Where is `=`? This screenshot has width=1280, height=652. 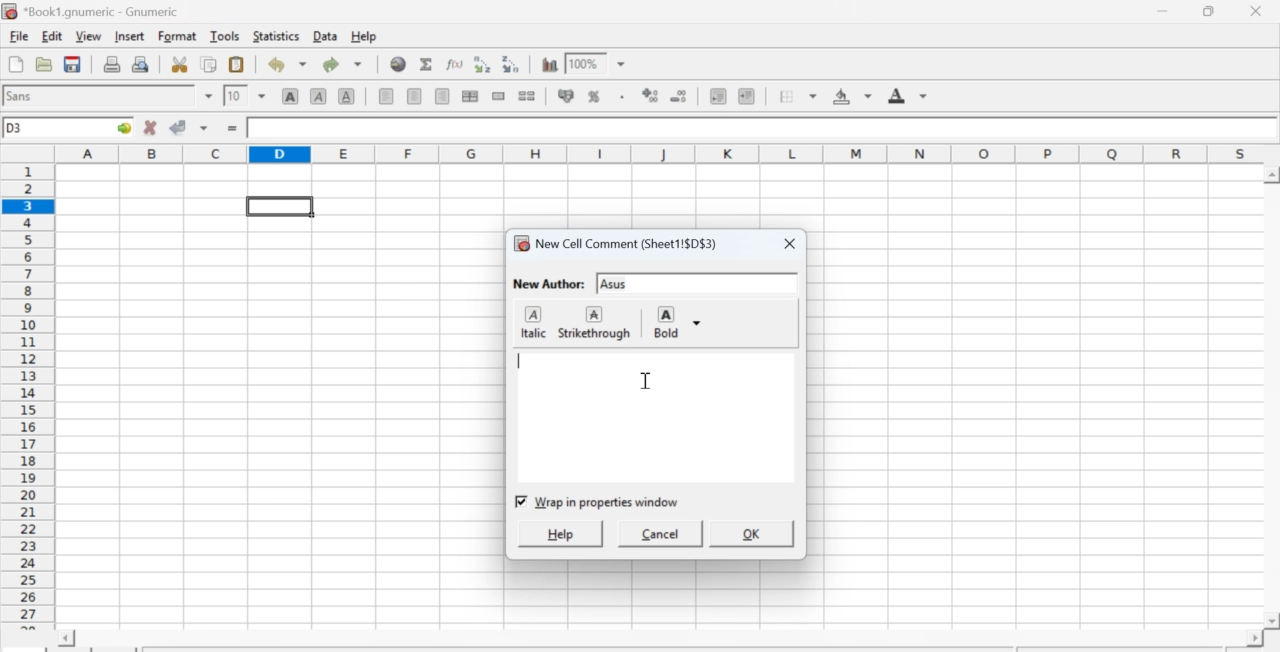
= is located at coordinates (231, 129).